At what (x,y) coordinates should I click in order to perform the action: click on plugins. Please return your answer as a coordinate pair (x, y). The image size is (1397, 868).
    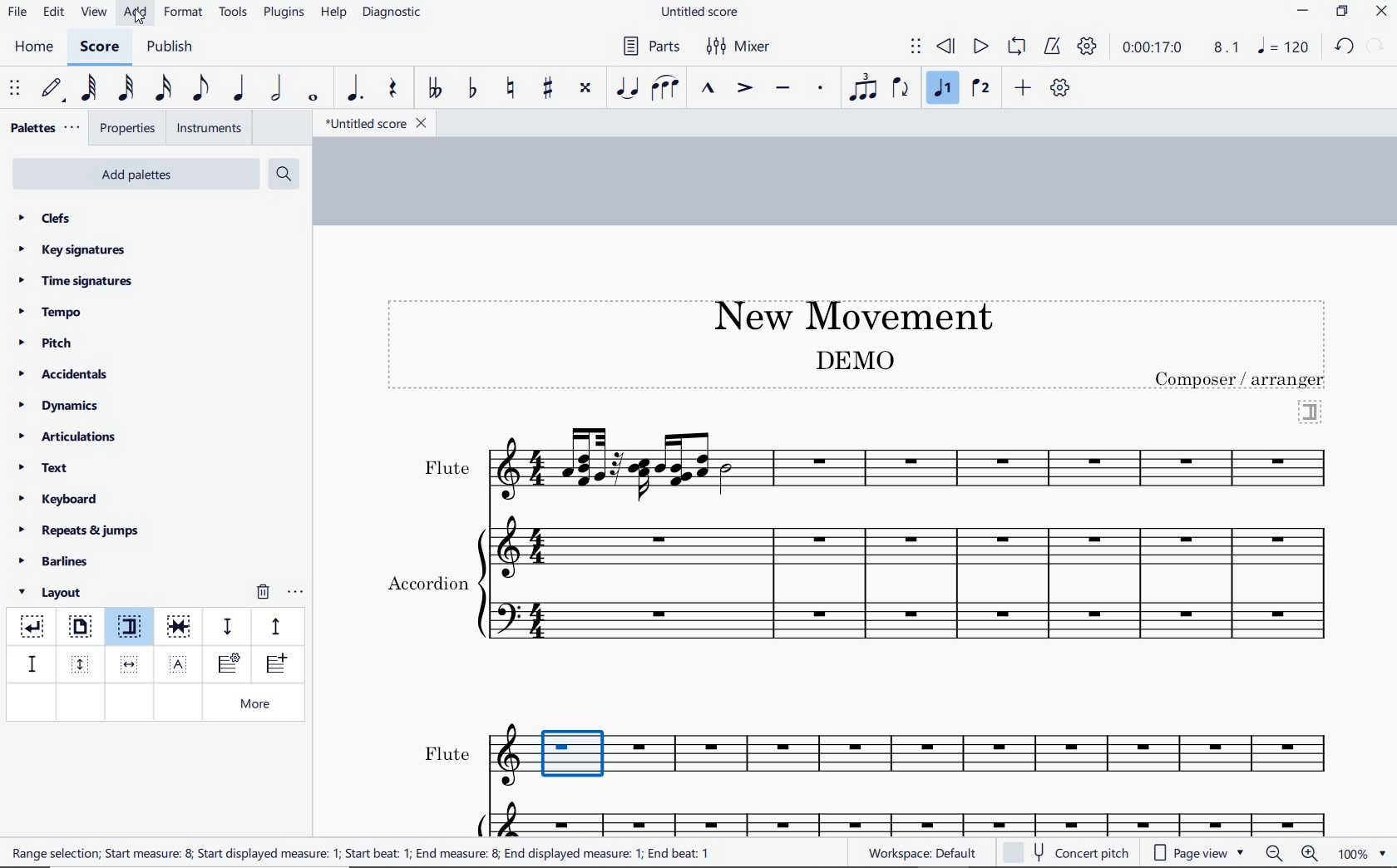
    Looking at the image, I should click on (284, 13).